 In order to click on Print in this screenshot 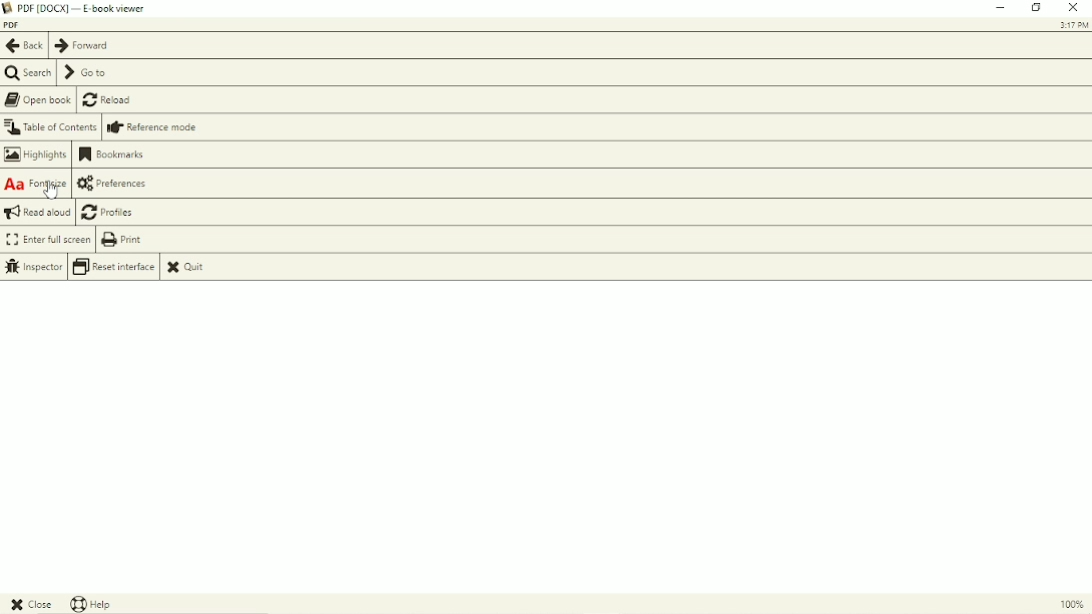, I will do `click(129, 240)`.